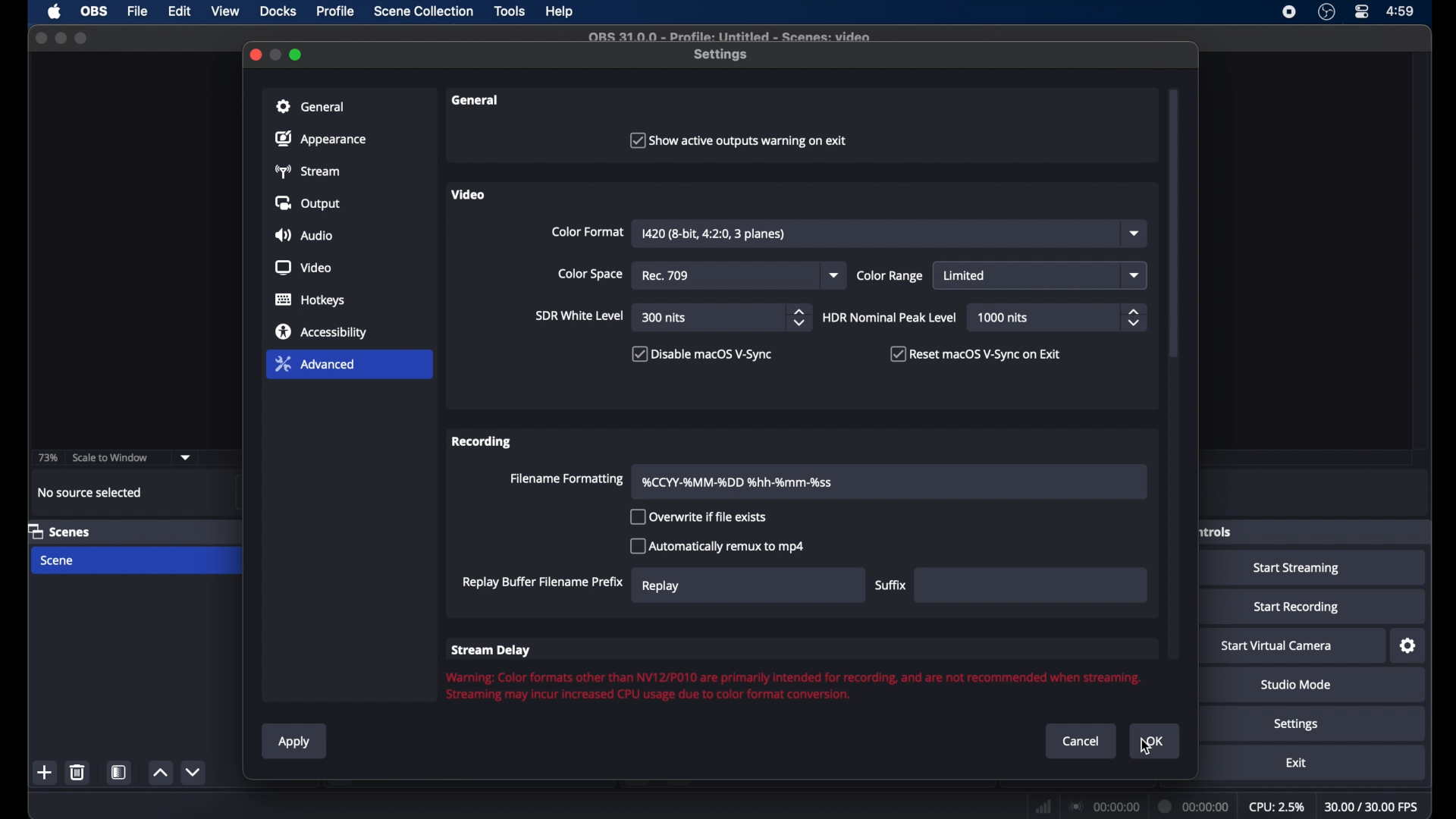  I want to click on overwrite if file exists , so click(699, 516).